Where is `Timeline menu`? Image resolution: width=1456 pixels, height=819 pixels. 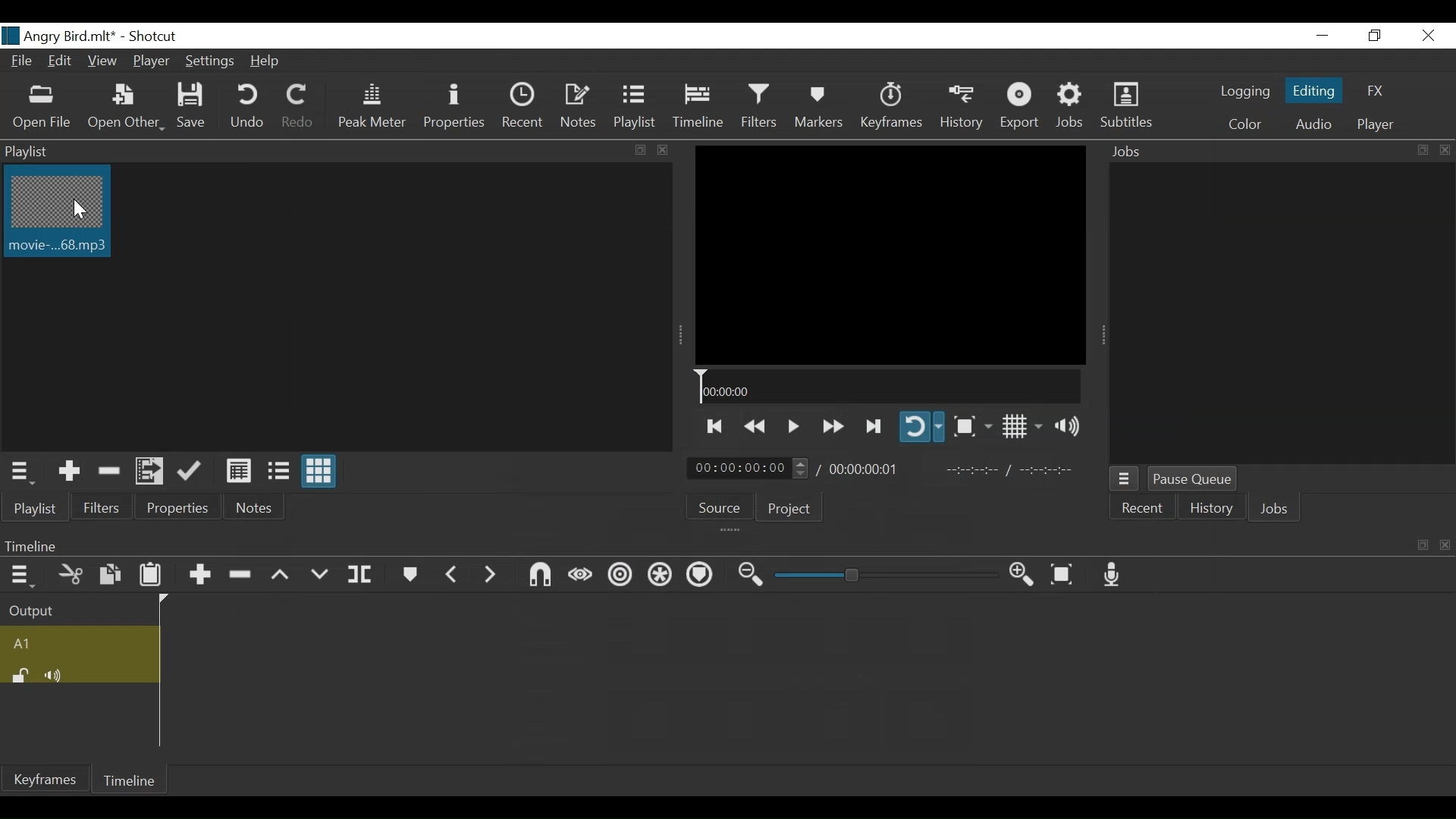 Timeline menu is located at coordinates (704, 546).